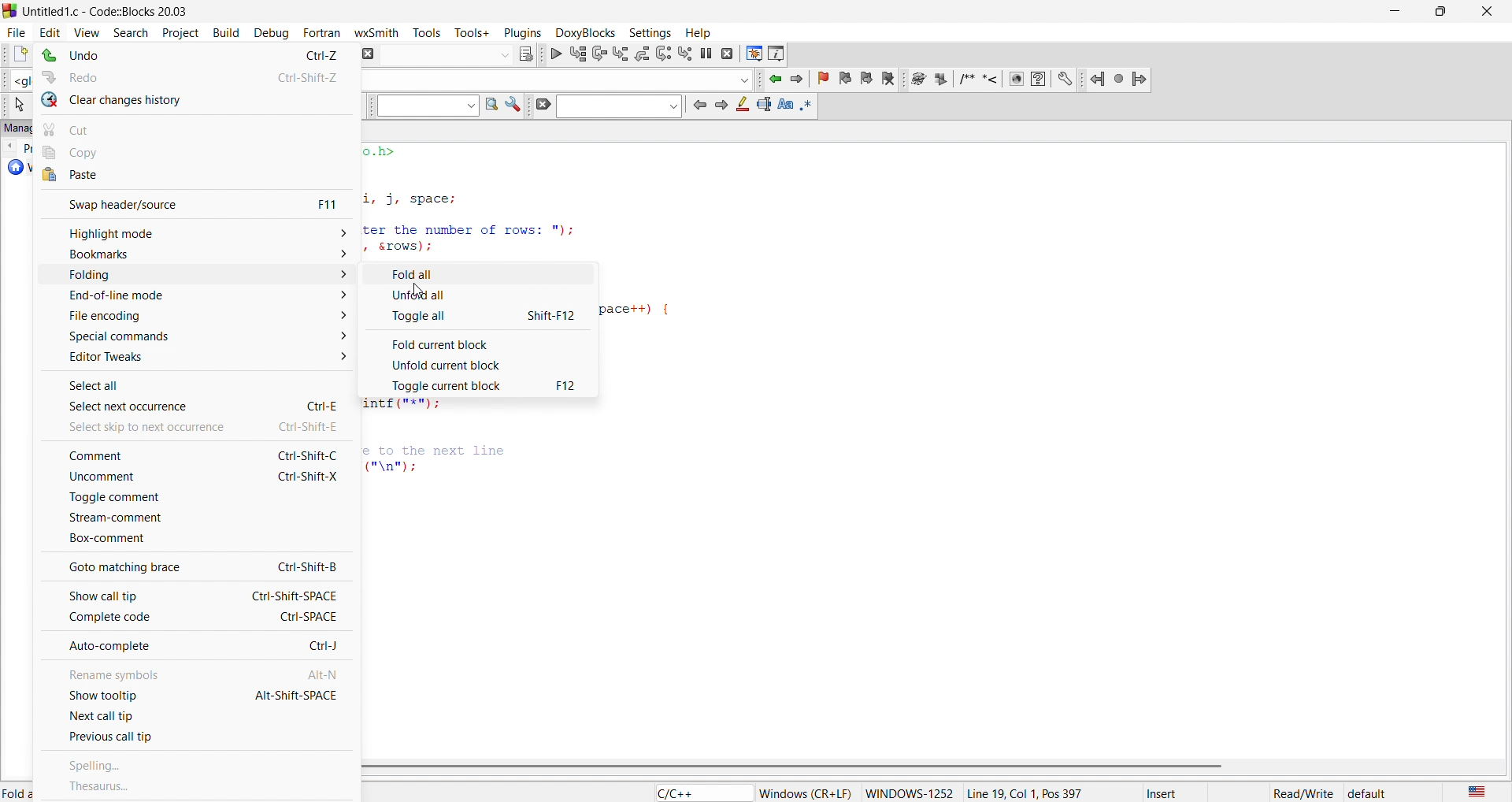  What do you see at coordinates (993, 79) in the screenshot?
I see `insert line` at bounding box center [993, 79].